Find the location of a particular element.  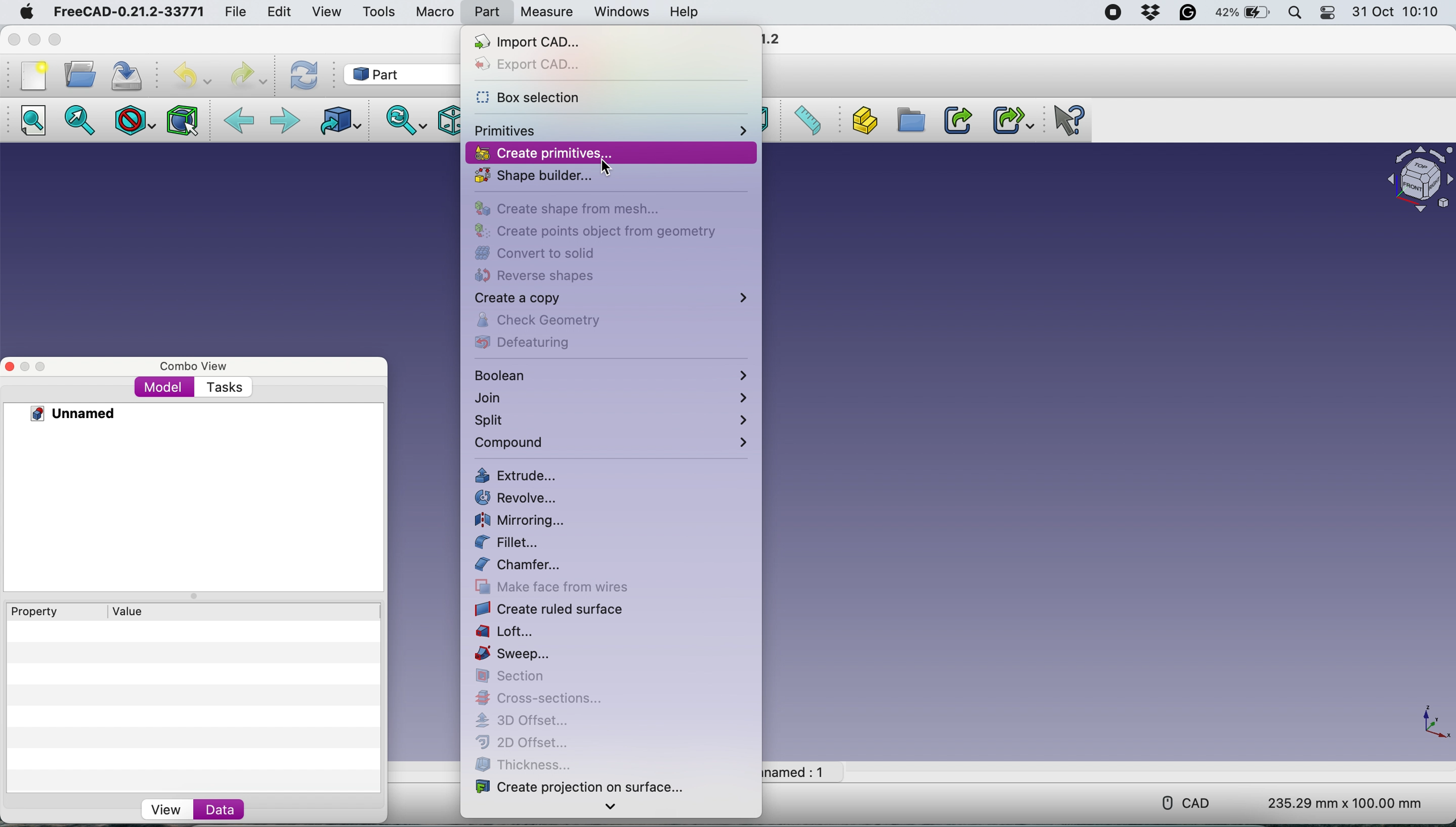

Create group is located at coordinates (908, 120).